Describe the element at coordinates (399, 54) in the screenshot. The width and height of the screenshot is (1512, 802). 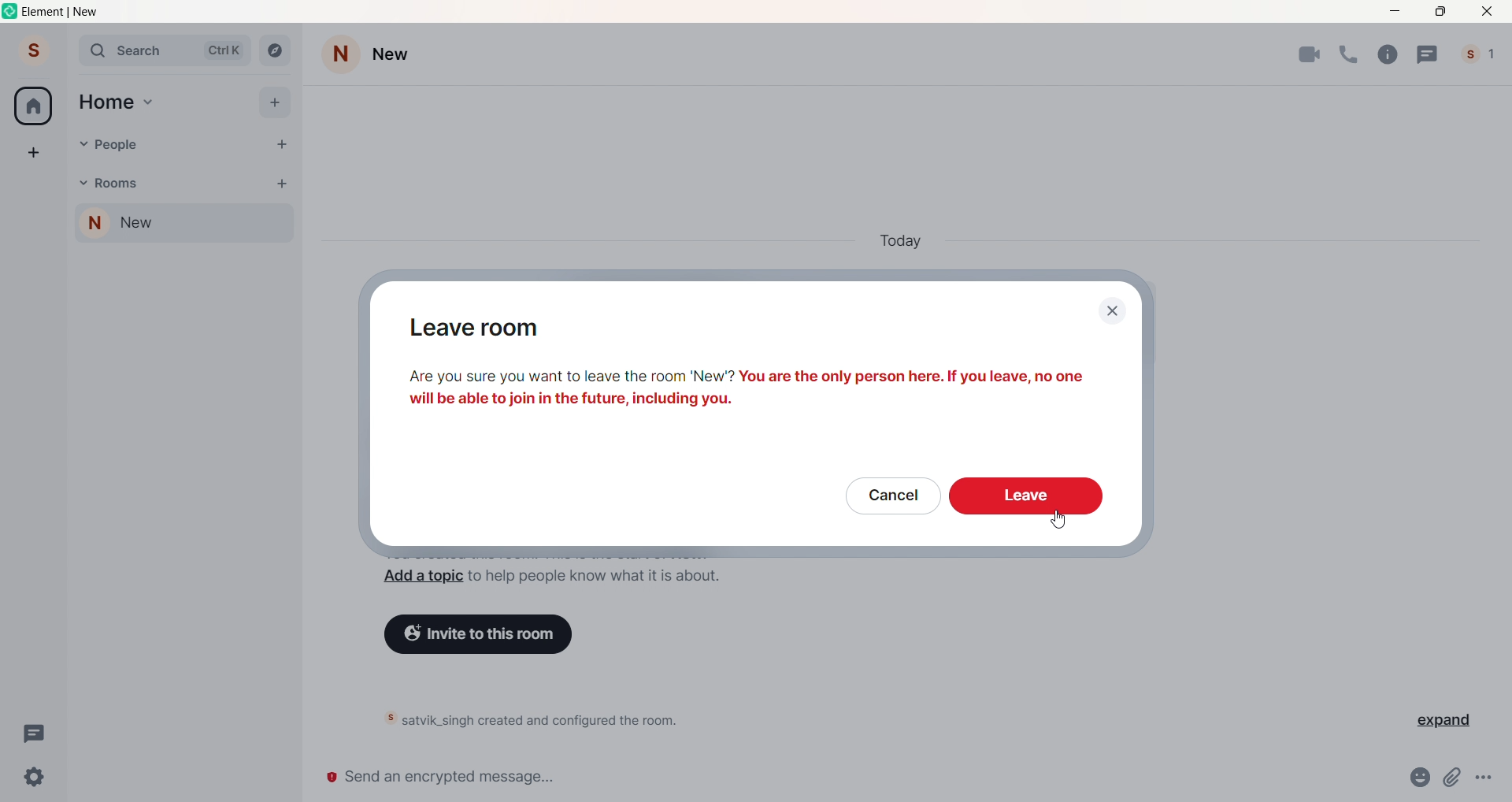
I see `New` at that location.